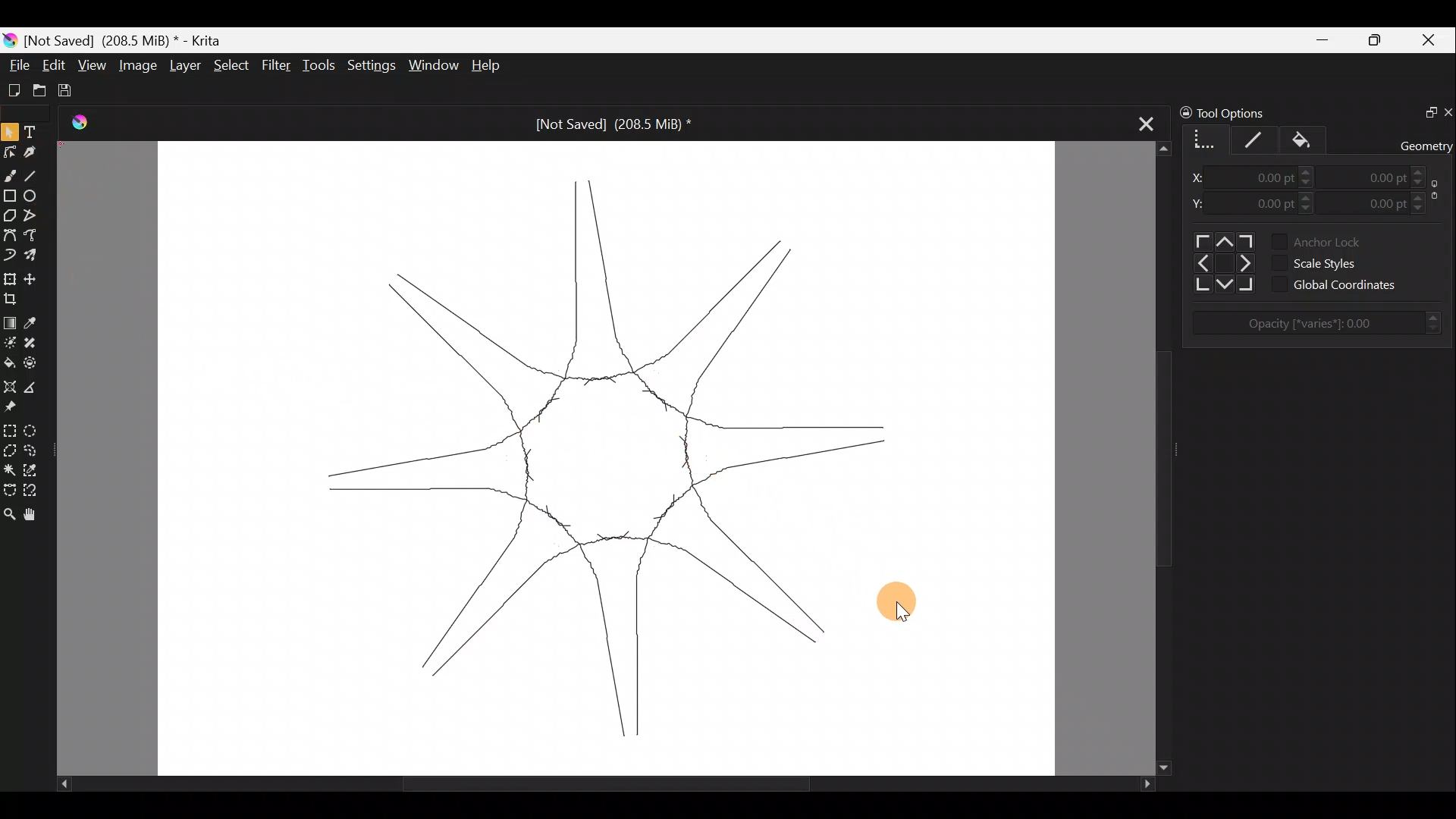 This screenshot has height=819, width=1456. I want to click on Bezier curve tool, so click(9, 236).